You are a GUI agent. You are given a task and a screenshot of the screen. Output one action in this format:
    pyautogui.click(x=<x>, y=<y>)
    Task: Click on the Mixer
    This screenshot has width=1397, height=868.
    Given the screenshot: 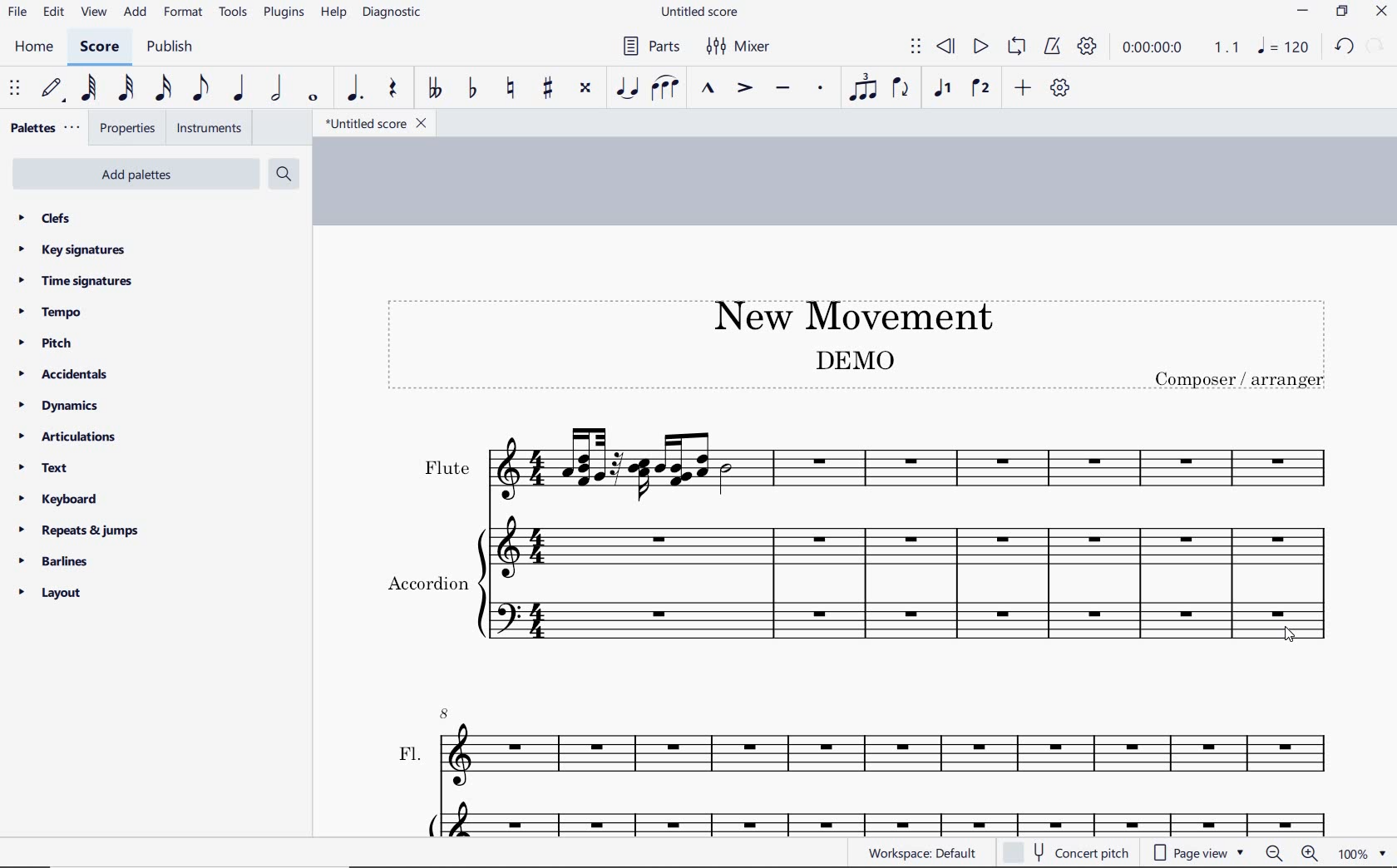 What is the action you would take?
    pyautogui.click(x=739, y=47)
    